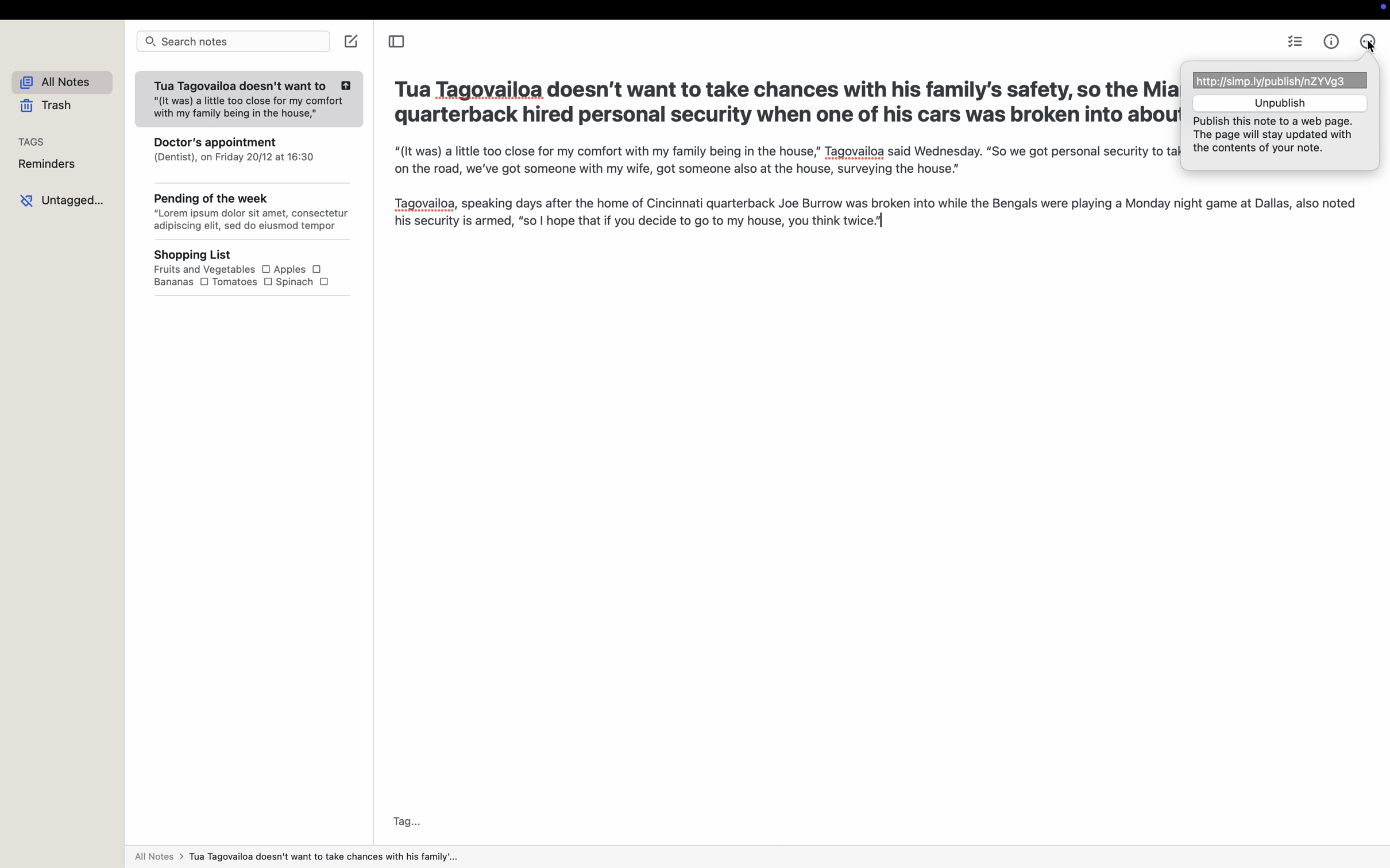 The width and height of the screenshot is (1390, 868). Describe the element at coordinates (295, 859) in the screenshot. I see `all notes` at that location.